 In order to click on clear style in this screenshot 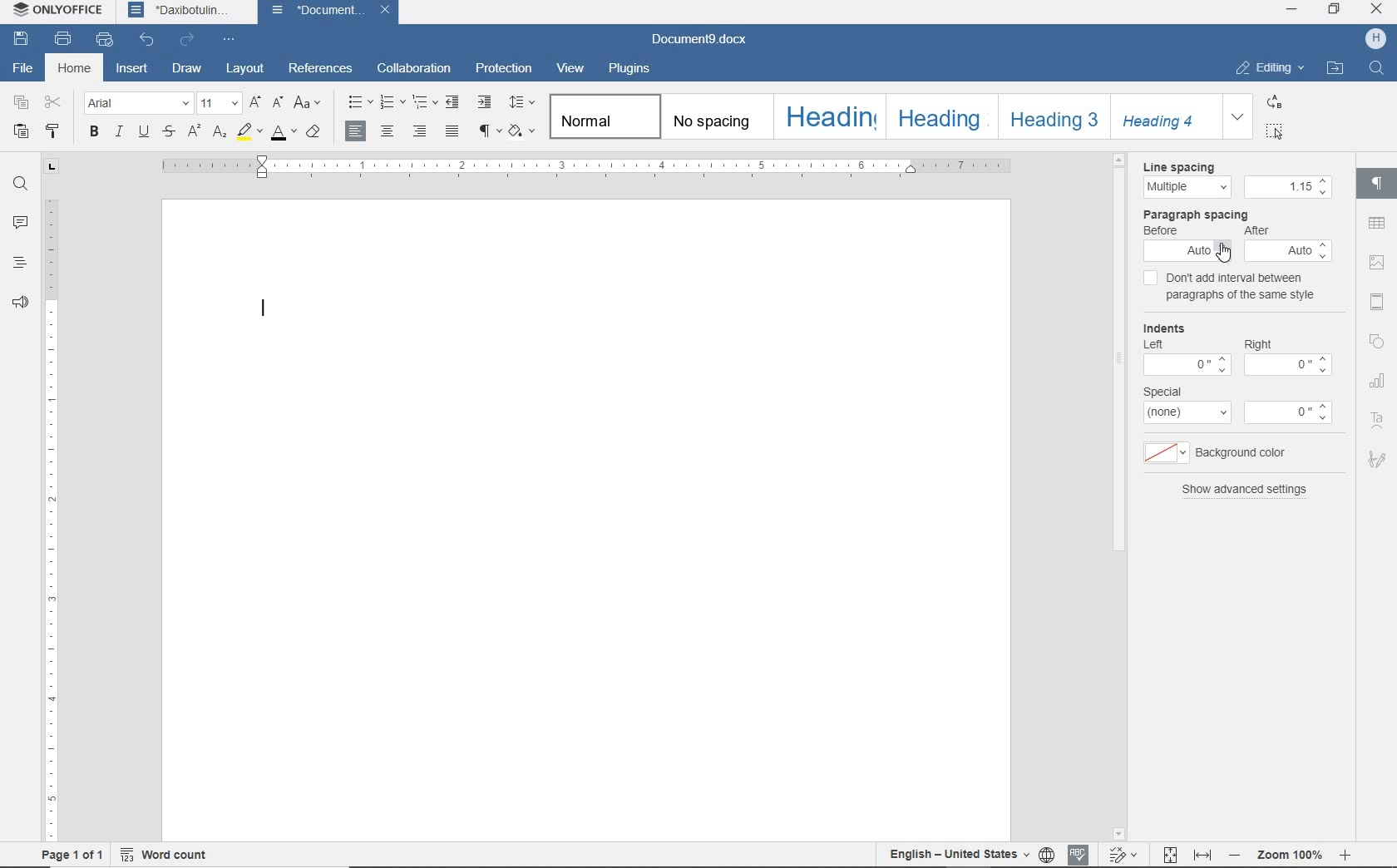, I will do `click(315, 132)`.